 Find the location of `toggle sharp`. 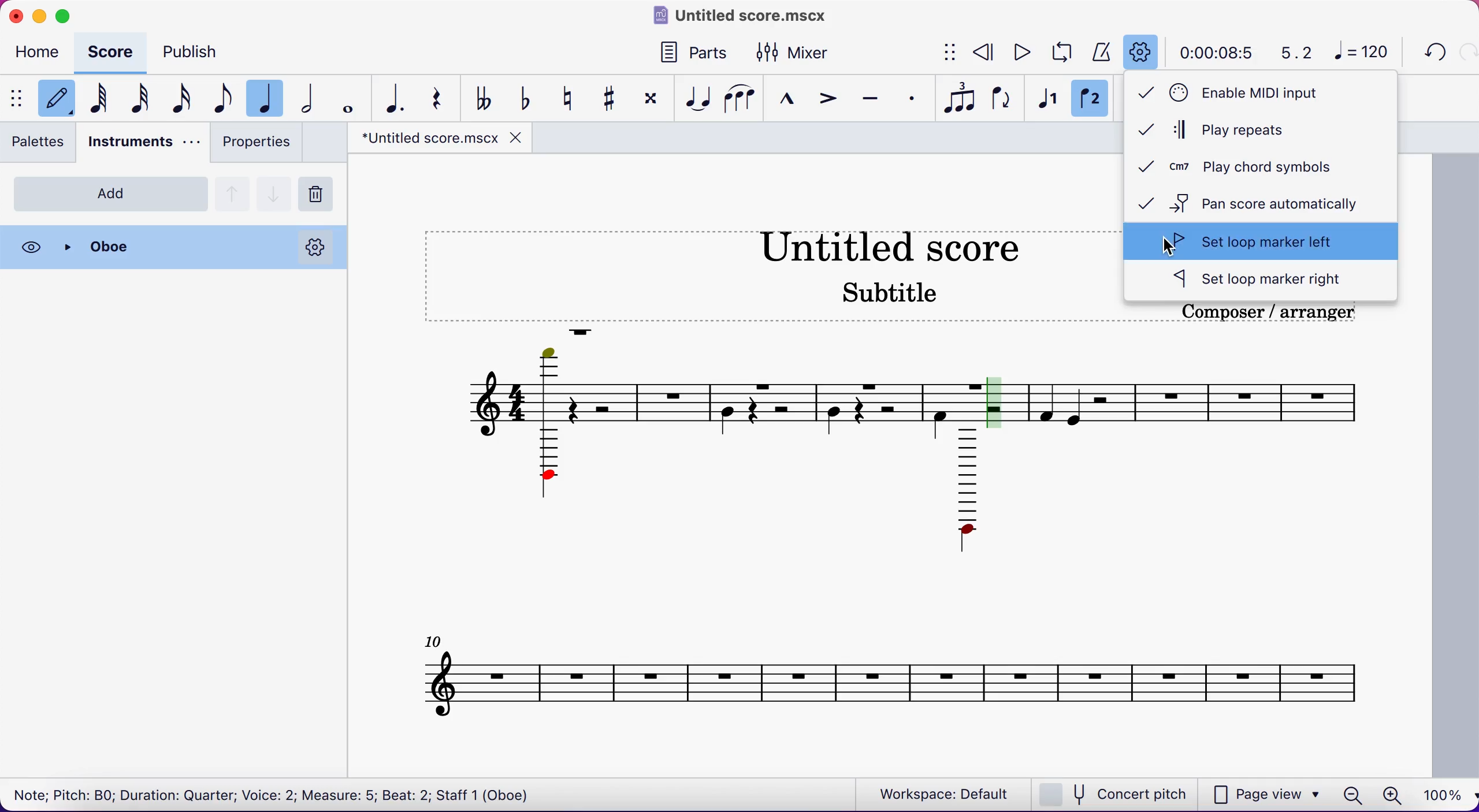

toggle sharp is located at coordinates (615, 99).